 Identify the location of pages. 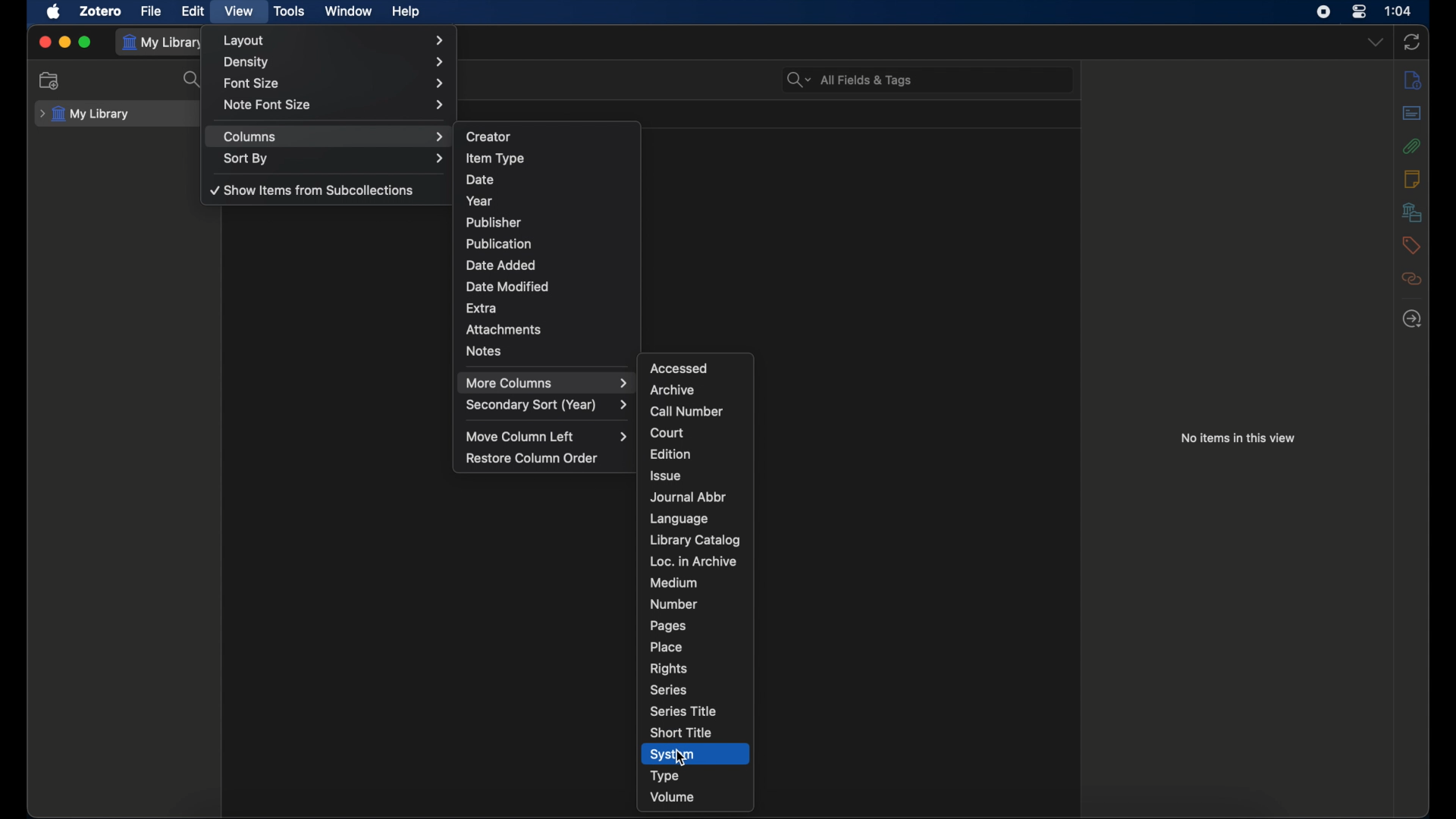
(668, 626).